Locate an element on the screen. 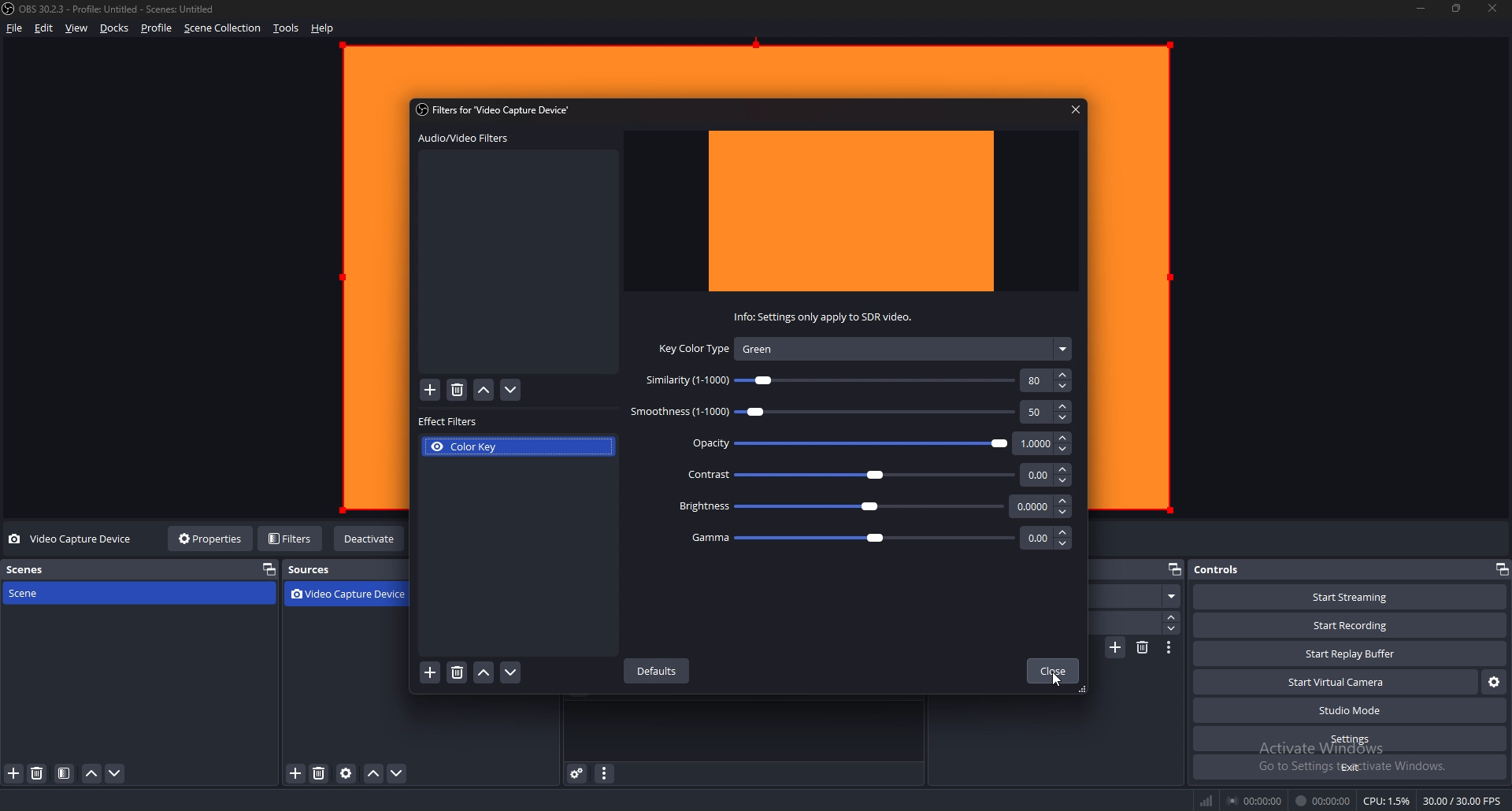 Image resolution: width=1512 pixels, height=811 pixels. add source is located at coordinates (297, 774).